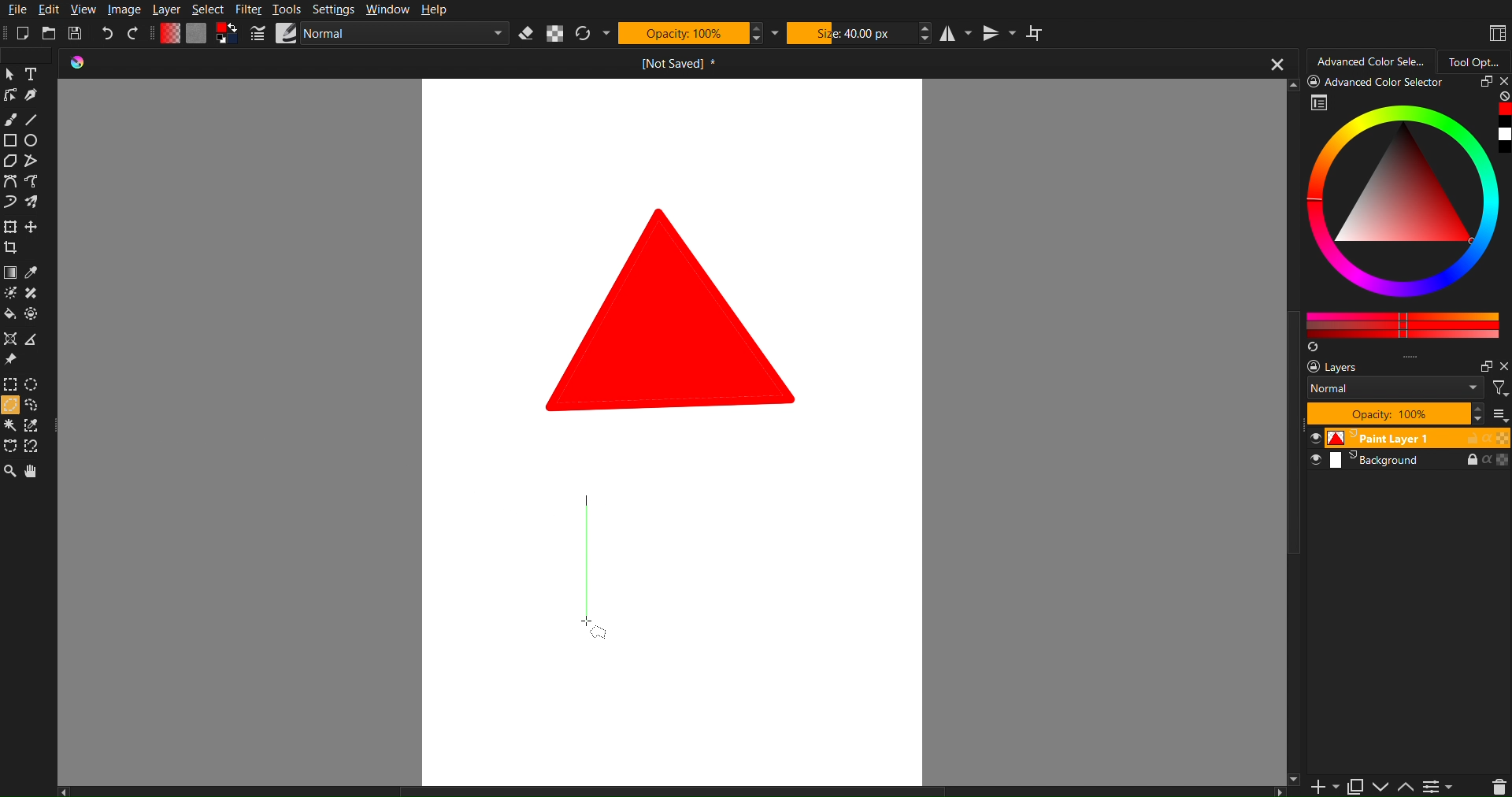 The width and height of the screenshot is (1512, 797). Describe the element at coordinates (954, 35) in the screenshot. I see `Horizontal Mirror` at that location.